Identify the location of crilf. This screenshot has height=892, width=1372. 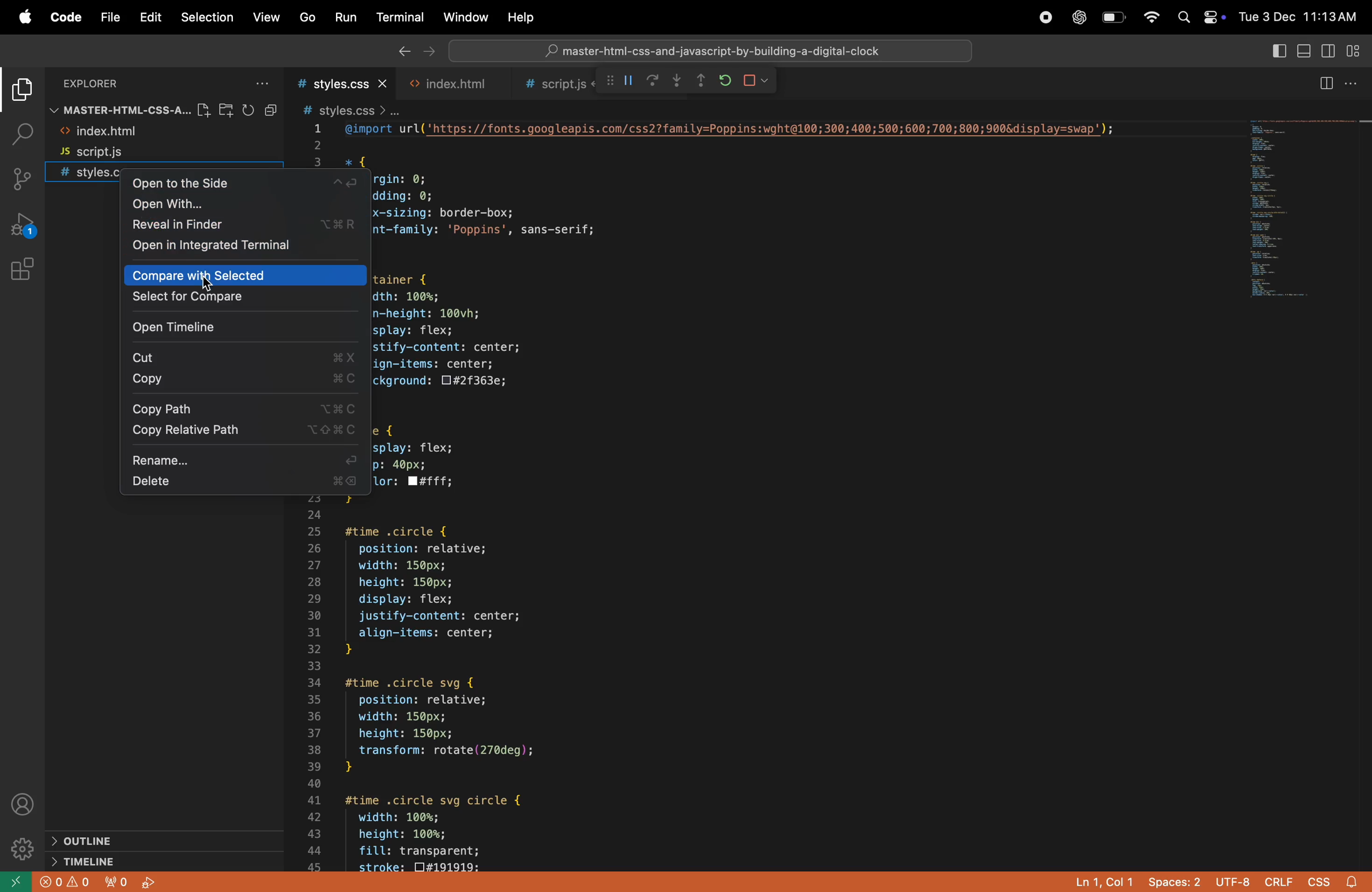
(1278, 882).